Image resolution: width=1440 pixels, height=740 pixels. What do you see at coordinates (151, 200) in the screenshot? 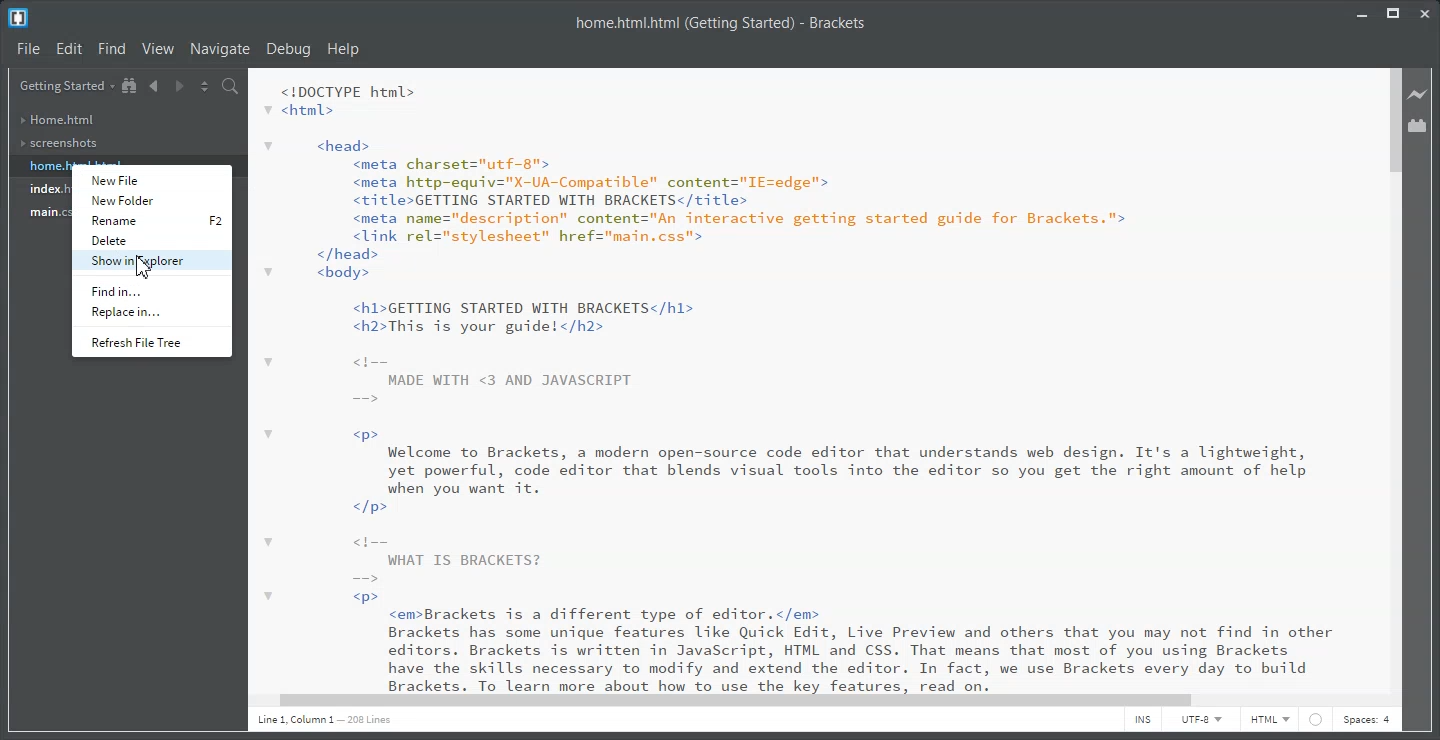
I see `New Folder` at bounding box center [151, 200].